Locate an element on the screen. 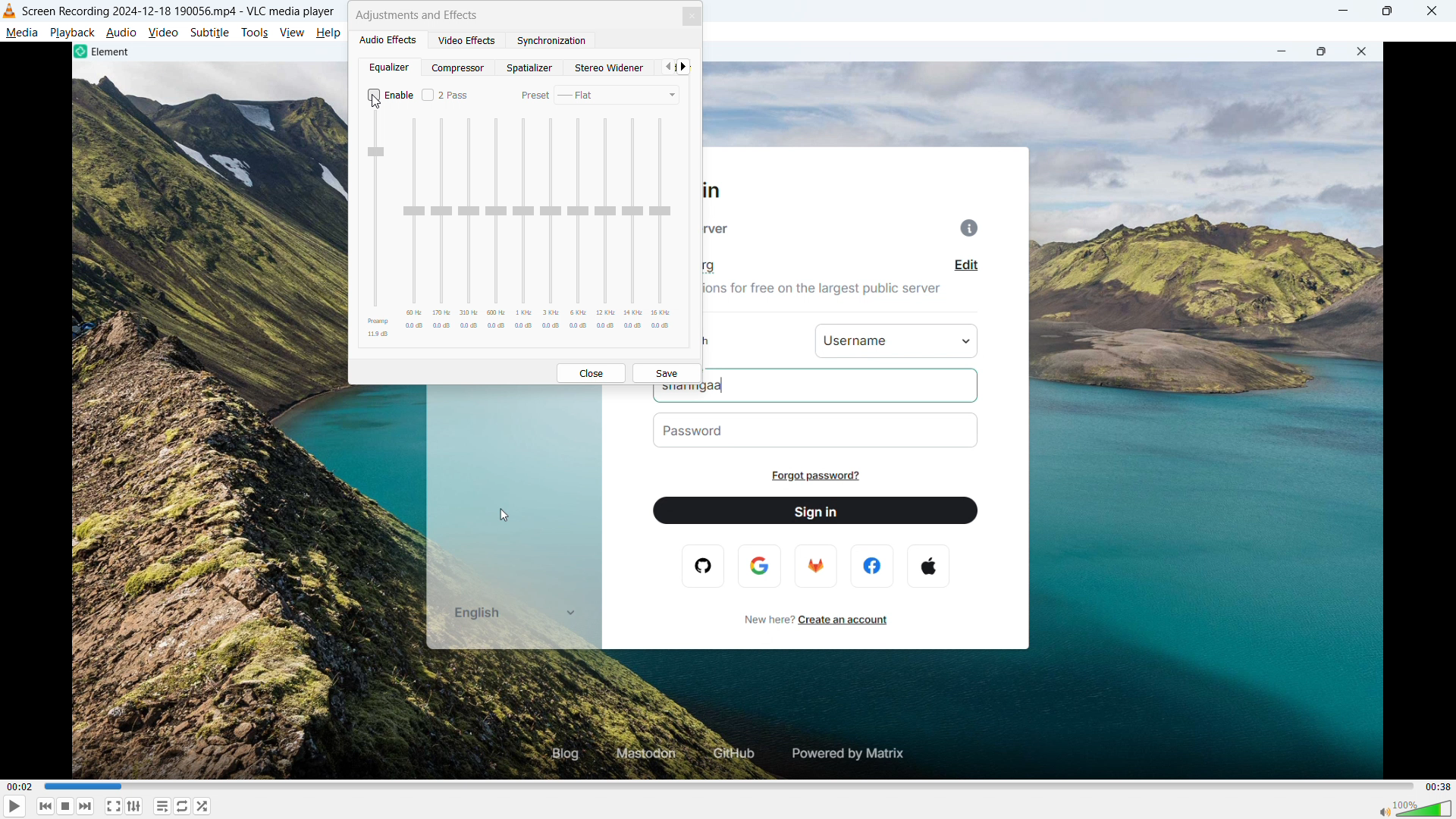 Image resolution: width=1456 pixels, height=819 pixels. Audio  is located at coordinates (122, 32).